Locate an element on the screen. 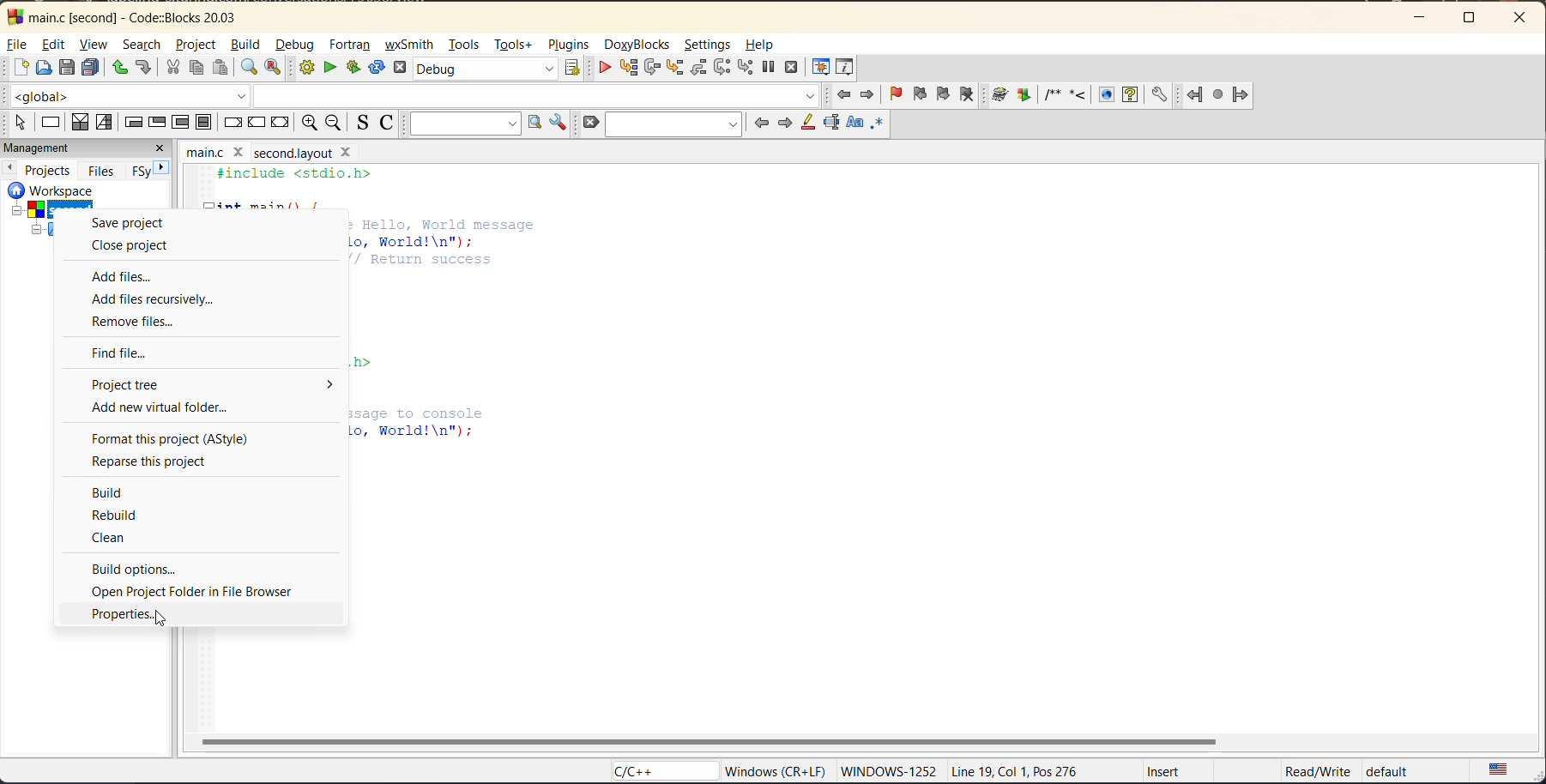 Image resolution: width=1546 pixels, height=784 pixels. zoom in is located at coordinates (308, 122).